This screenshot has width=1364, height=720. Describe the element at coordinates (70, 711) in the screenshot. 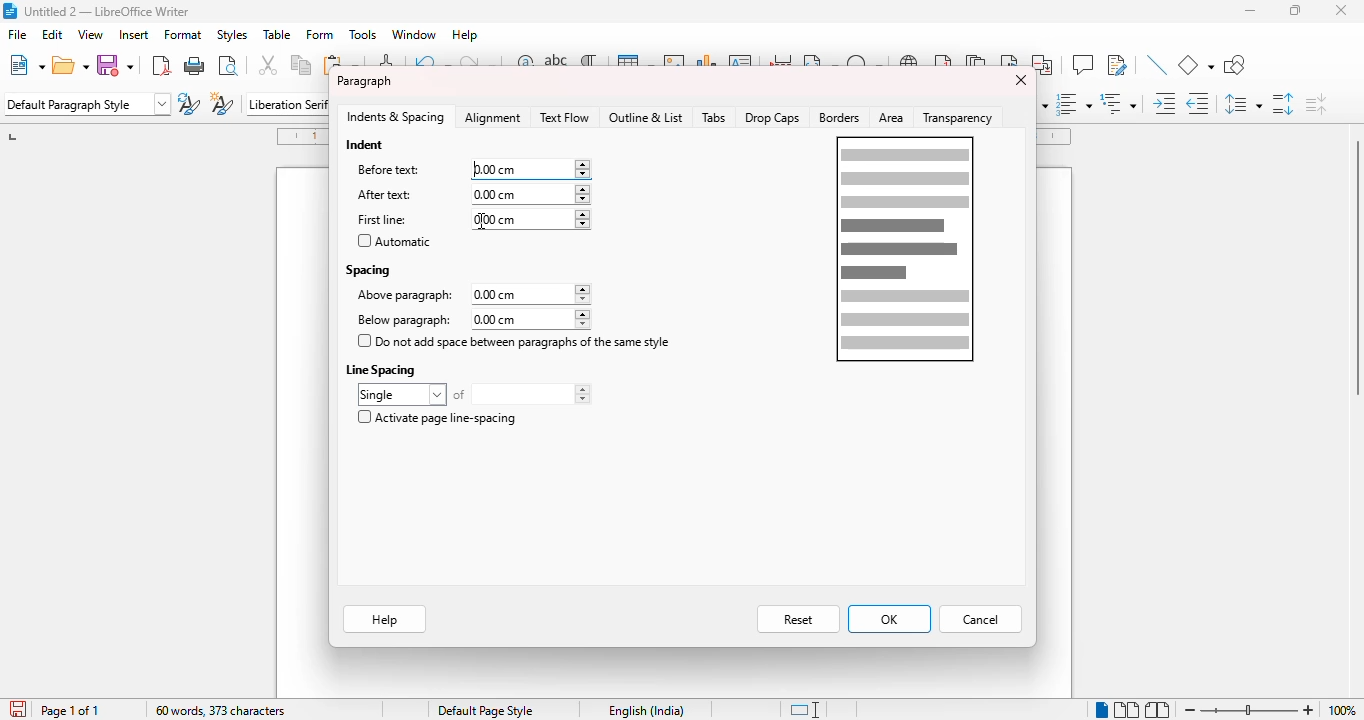

I see `page 1 of 1` at that location.